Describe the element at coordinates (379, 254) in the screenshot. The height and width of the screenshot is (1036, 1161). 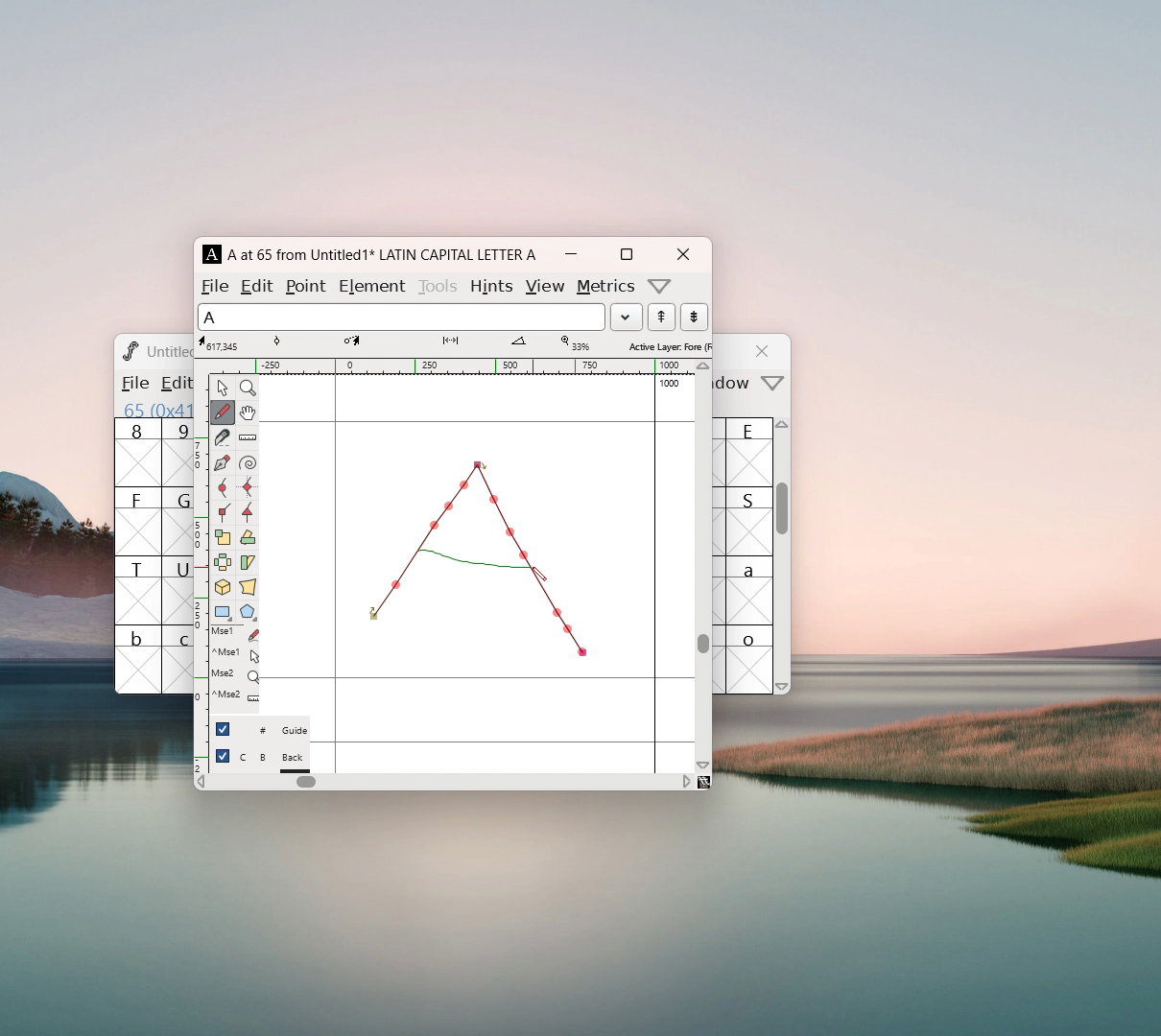
I see `A at 65 from Untitled1 LATIN CAPITAL LETTER A` at that location.